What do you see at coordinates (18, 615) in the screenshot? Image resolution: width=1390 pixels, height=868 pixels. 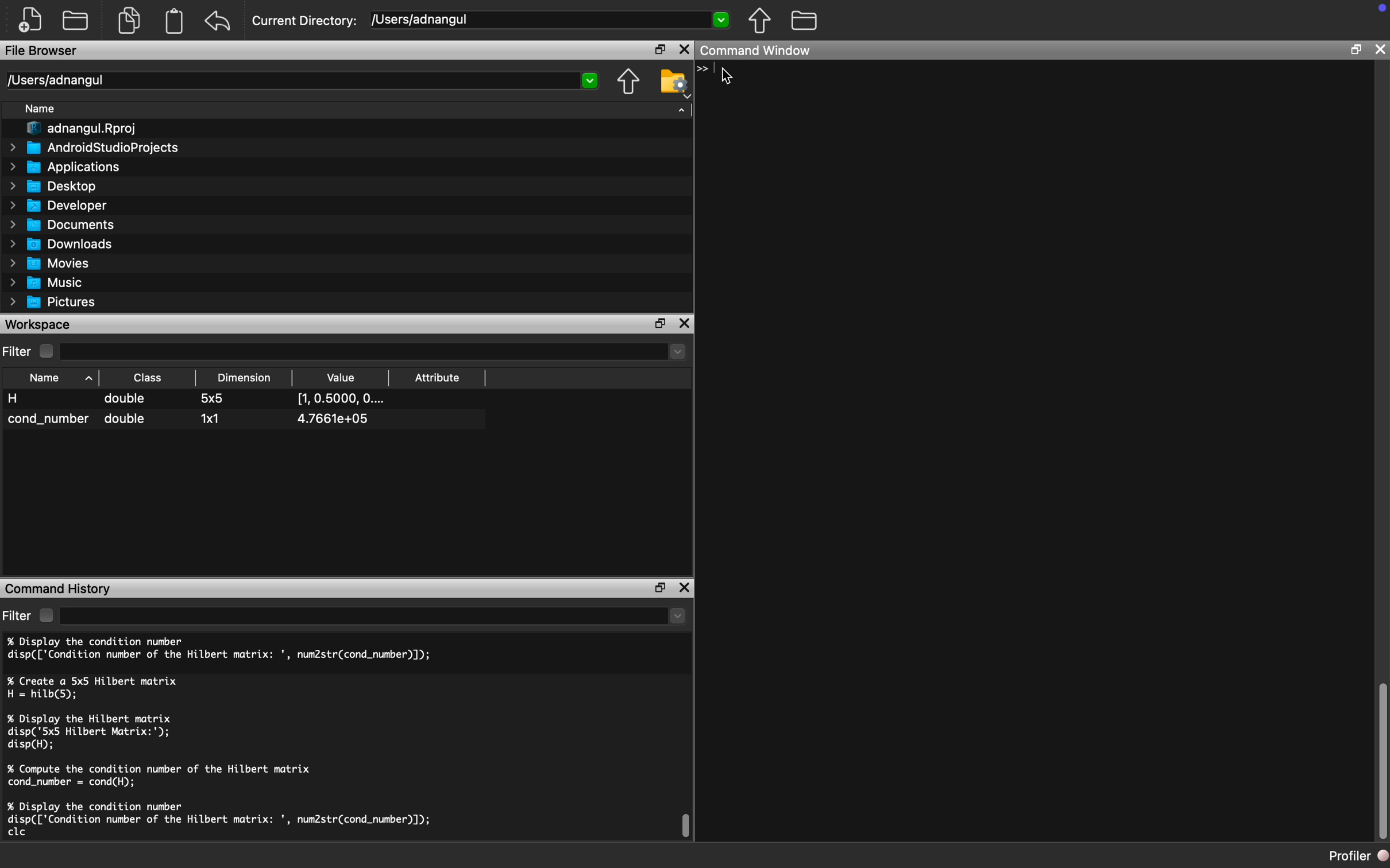 I see `Filter` at bounding box center [18, 615].